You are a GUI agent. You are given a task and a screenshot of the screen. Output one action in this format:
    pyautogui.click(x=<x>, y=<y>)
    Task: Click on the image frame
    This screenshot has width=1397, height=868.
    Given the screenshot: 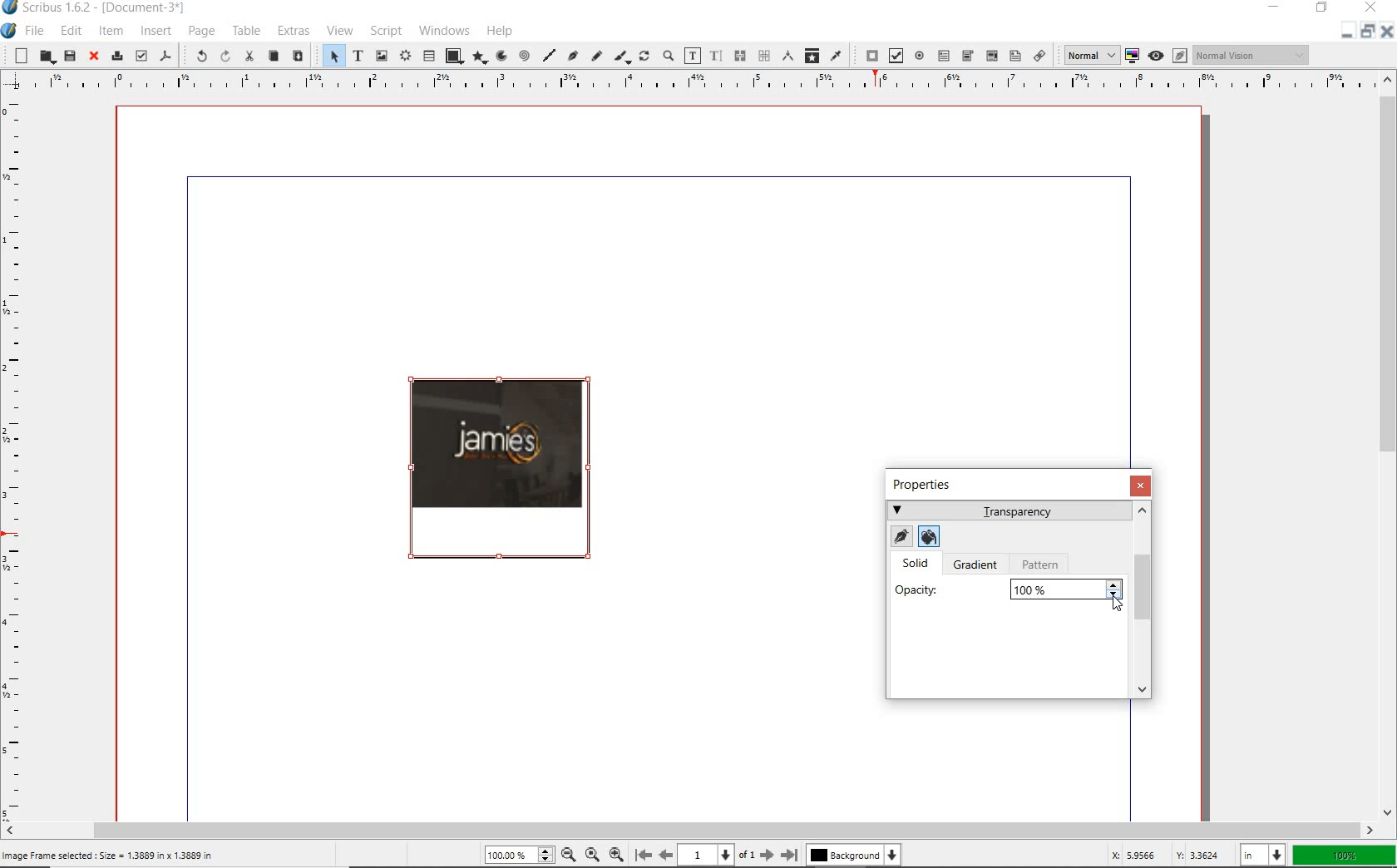 What is the action you would take?
    pyautogui.click(x=381, y=57)
    